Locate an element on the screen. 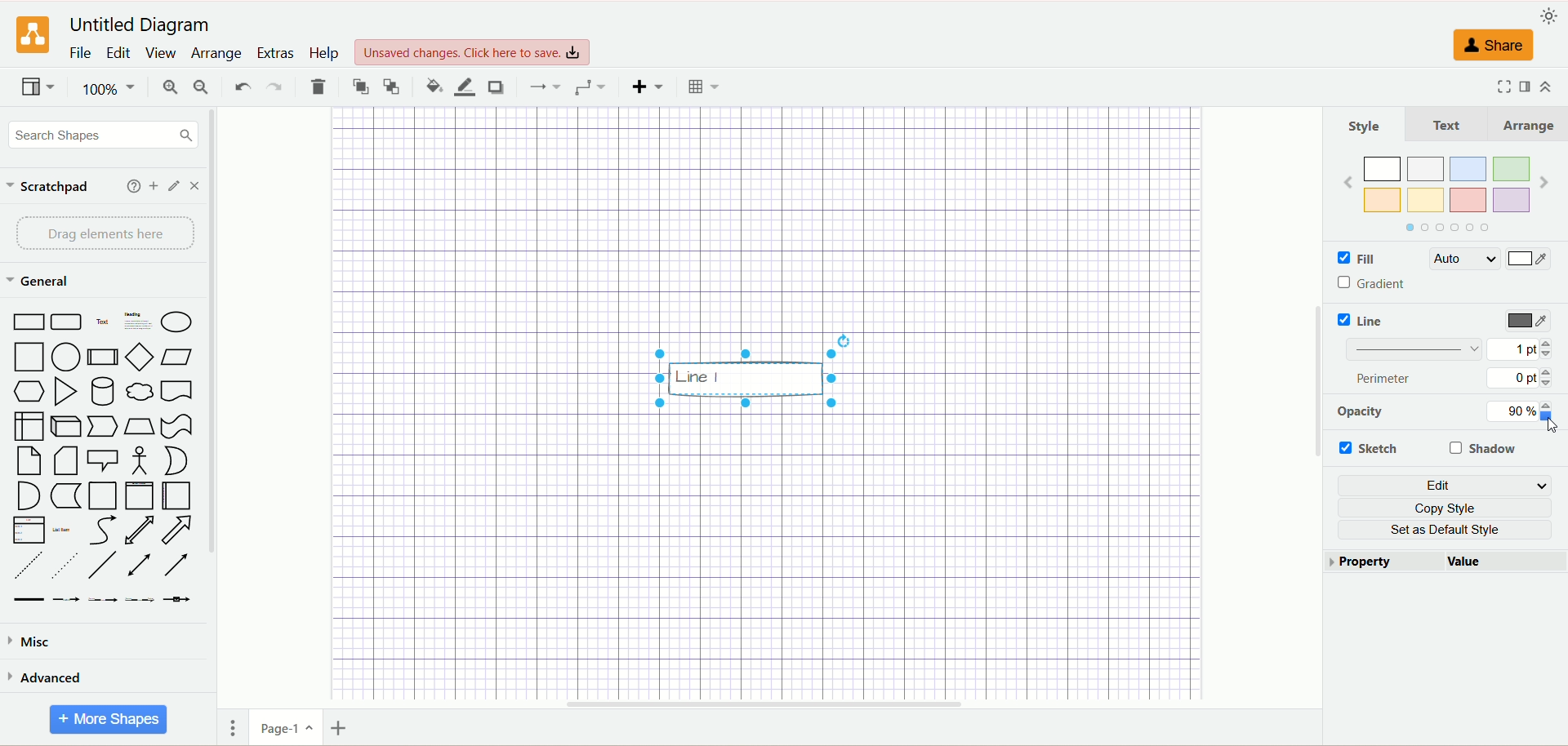 The height and width of the screenshot is (746, 1568). Card is located at coordinates (65, 461).